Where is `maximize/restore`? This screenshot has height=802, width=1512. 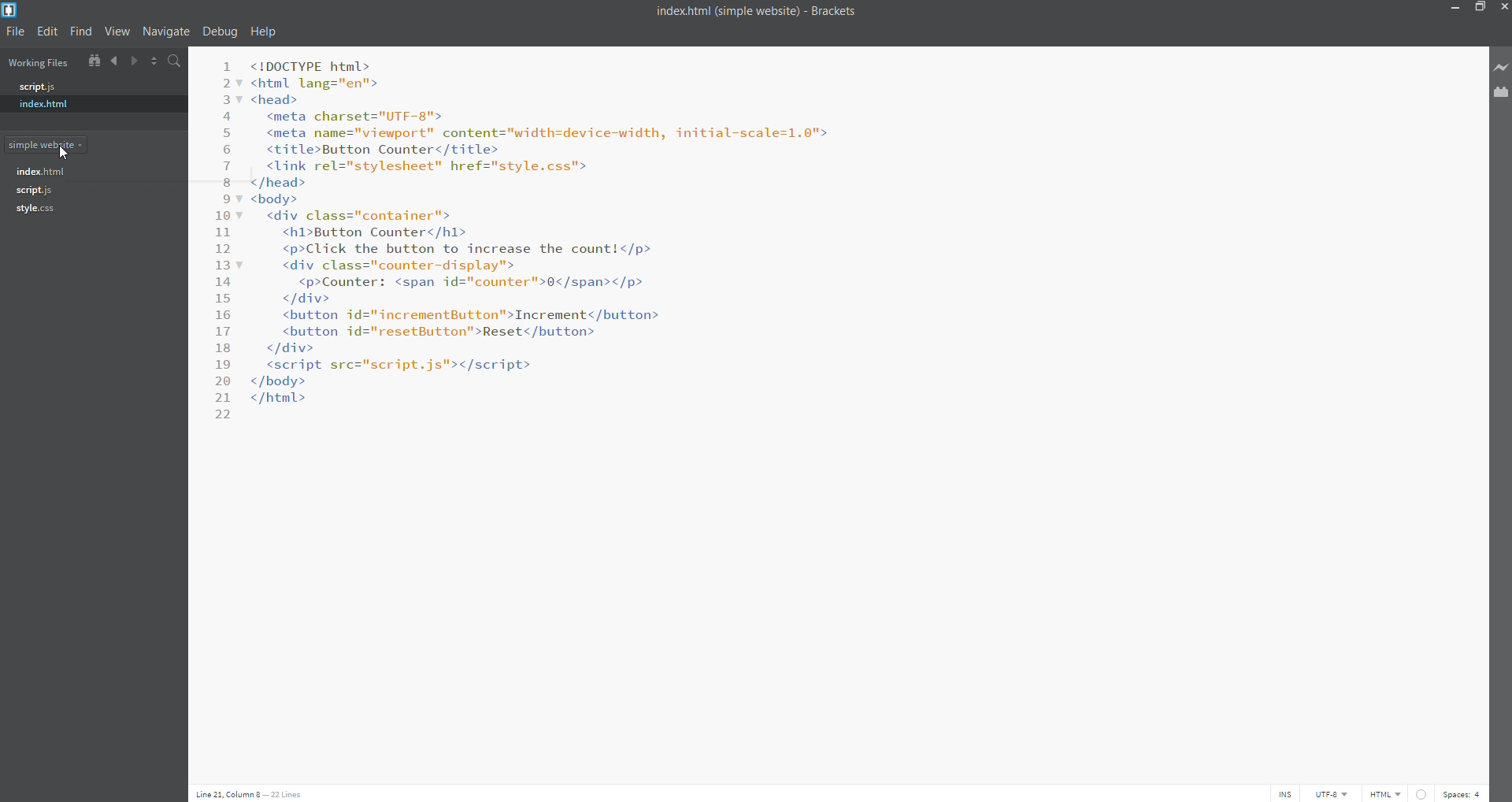
maximize/restore is located at coordinates (1479, 9).